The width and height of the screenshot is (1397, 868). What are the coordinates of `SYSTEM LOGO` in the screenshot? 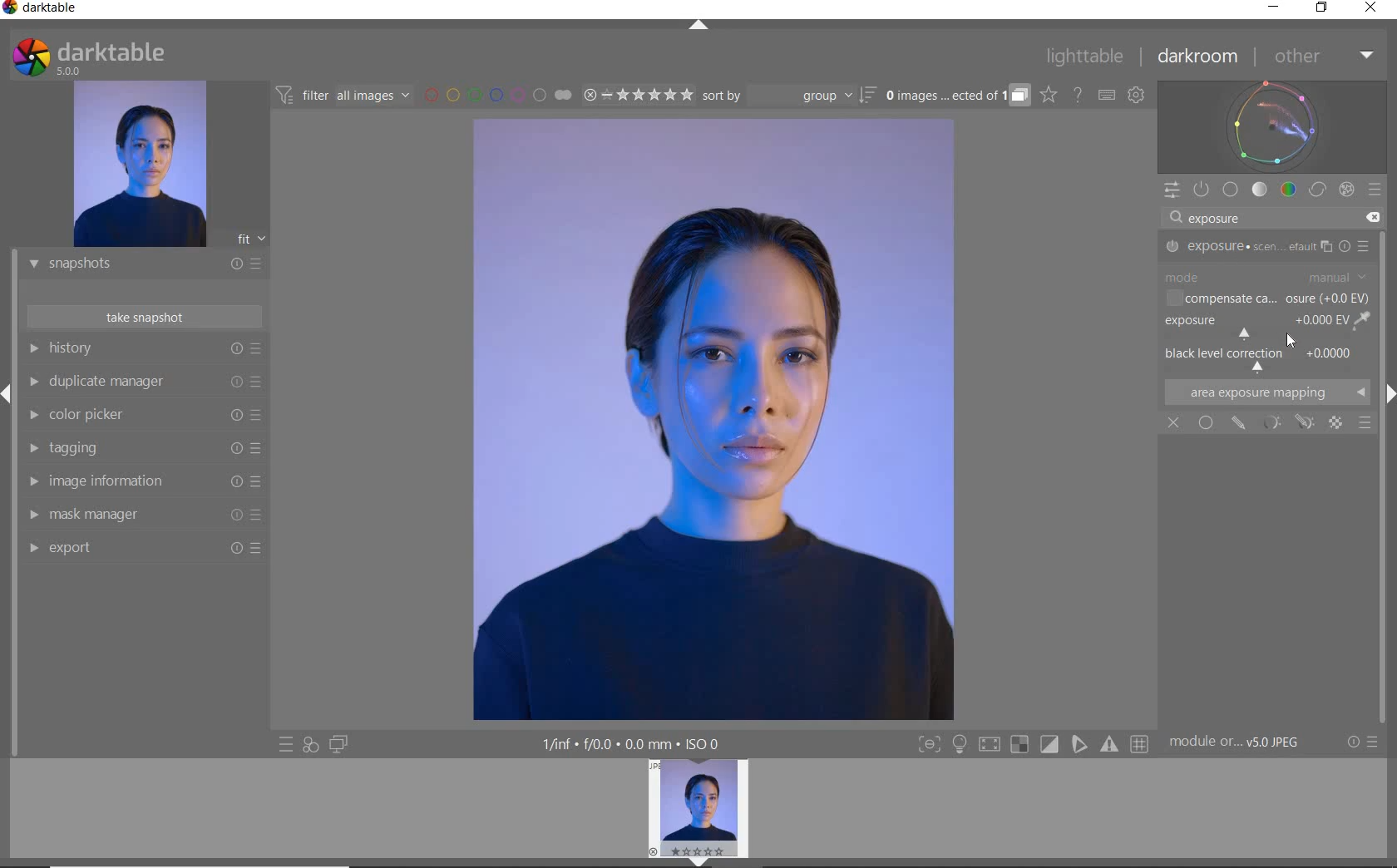 It's located at (88, 57).